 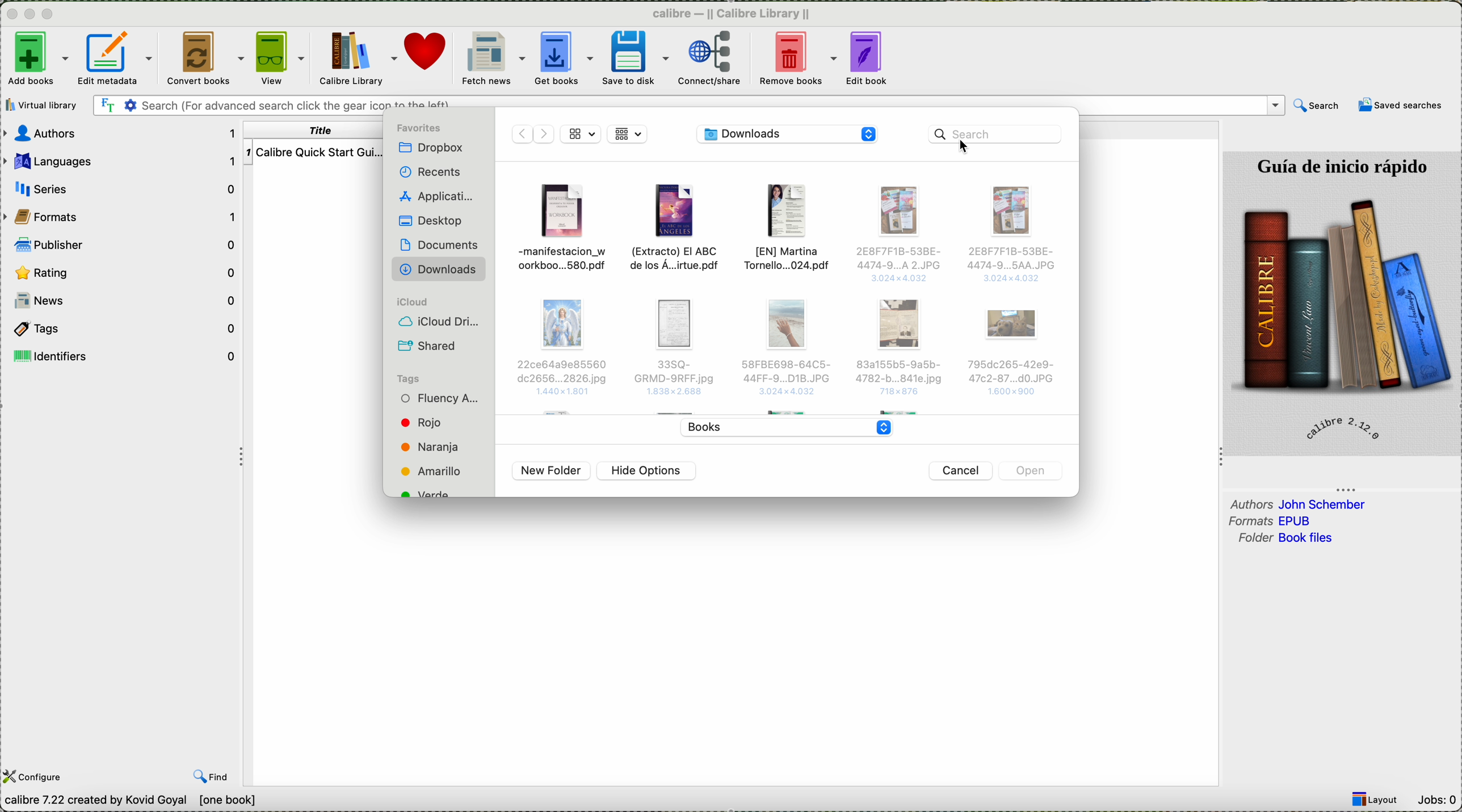 What do you see at coordinates (673, 226) in the screenshot?
I see `file` at bounding box center [673, 226].